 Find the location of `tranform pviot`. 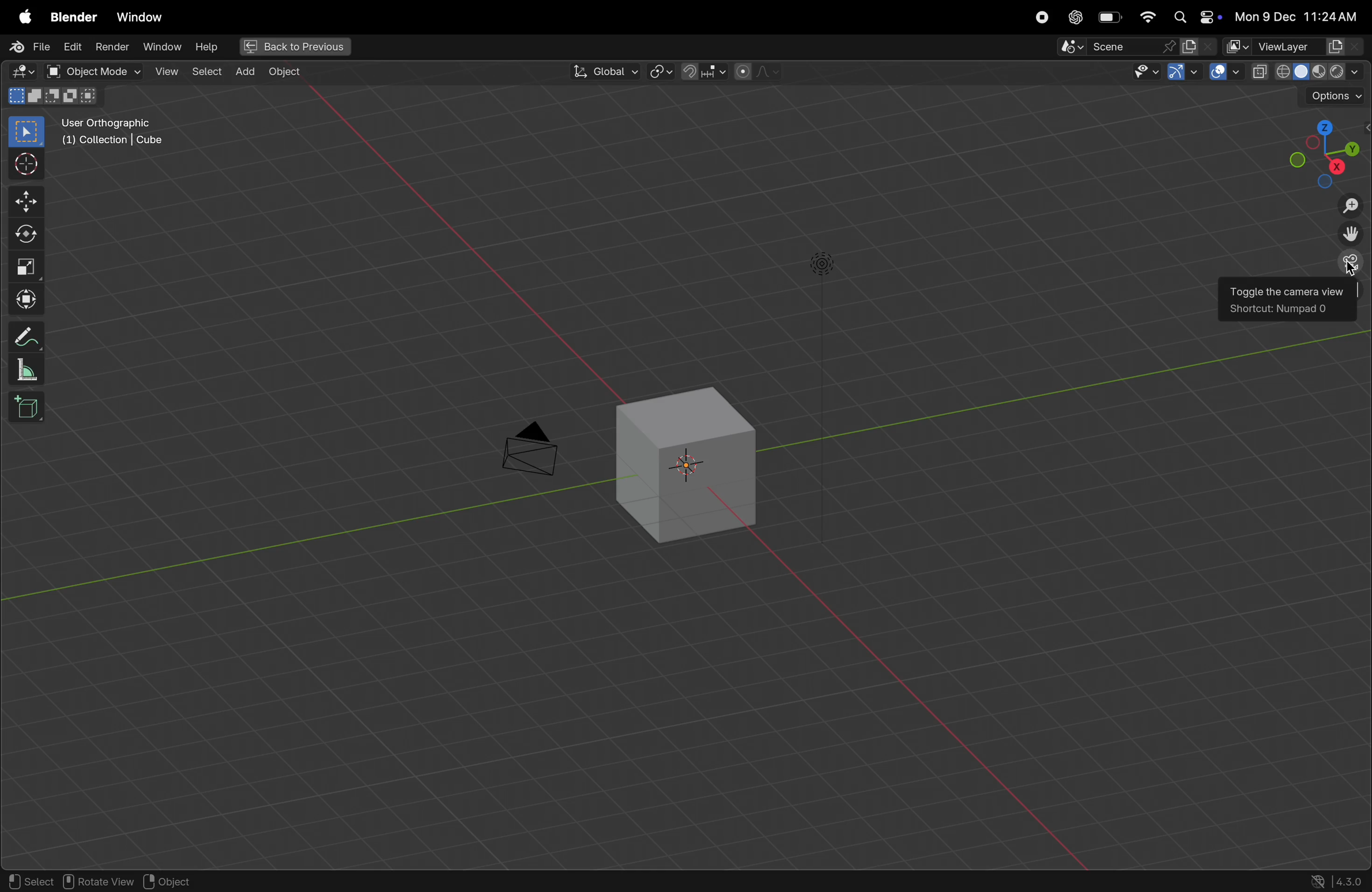

tranform pviot is located at coordinates (663, 72).